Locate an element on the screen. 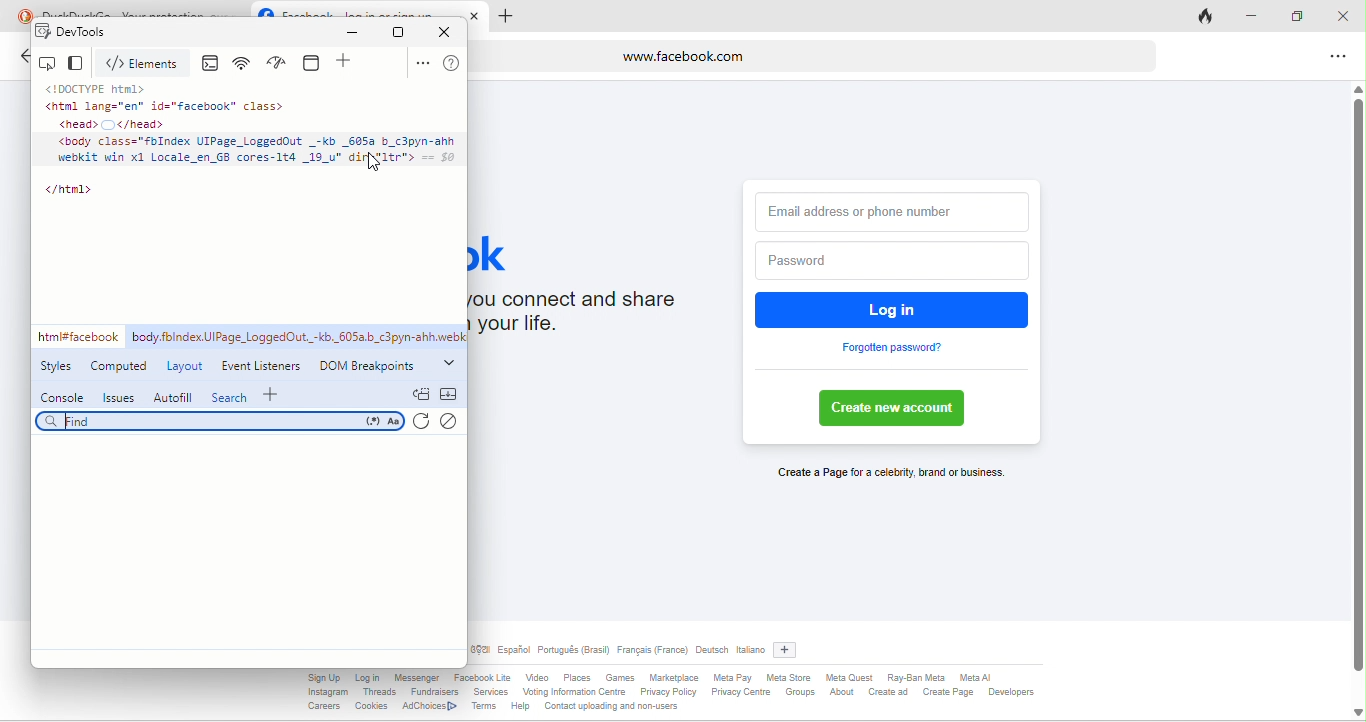  network is located at coordinates (245, 64).